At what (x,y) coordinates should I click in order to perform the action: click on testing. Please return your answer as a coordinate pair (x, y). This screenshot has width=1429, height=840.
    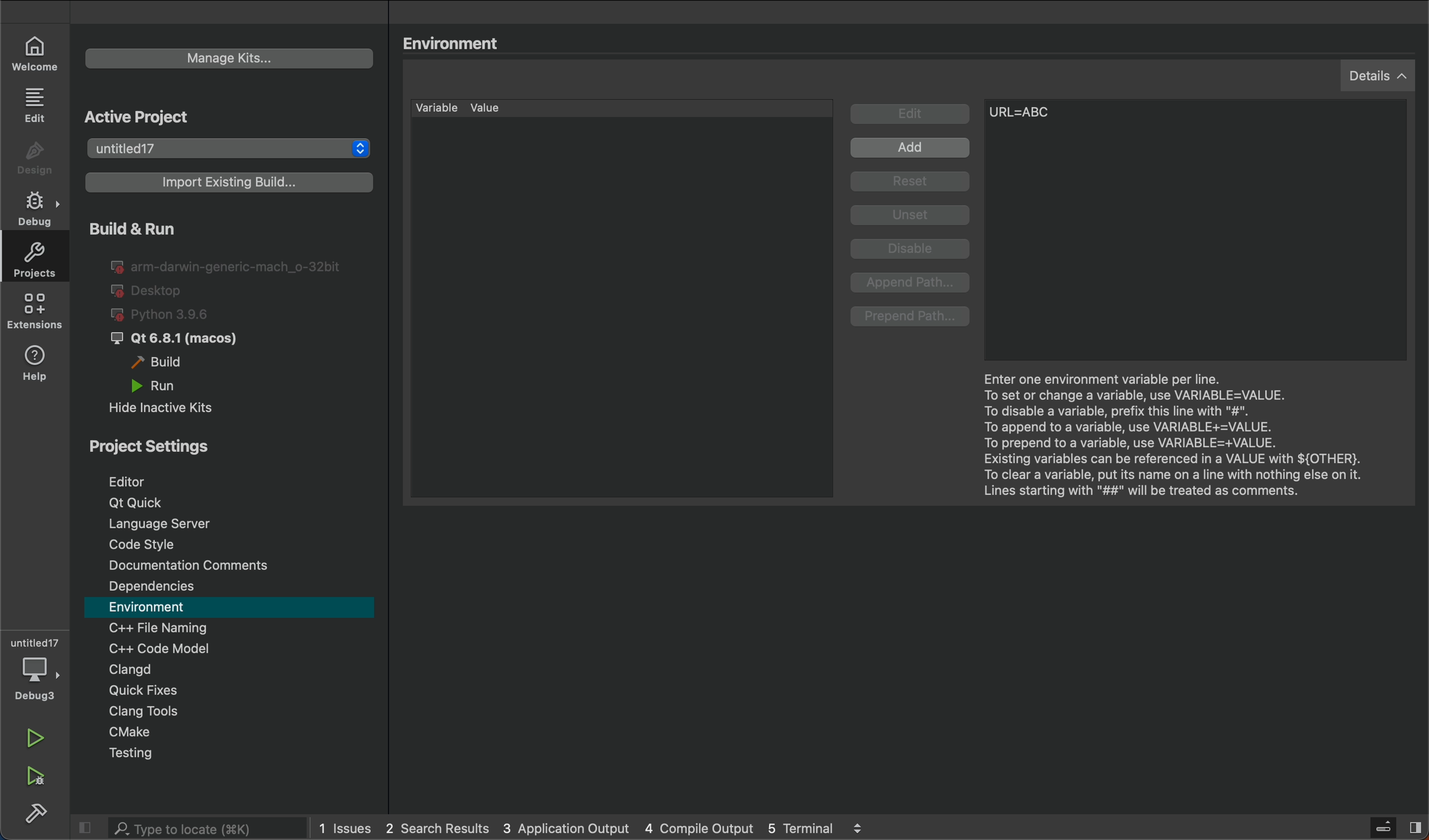
    Looking at the image, I should click on (236, 754).